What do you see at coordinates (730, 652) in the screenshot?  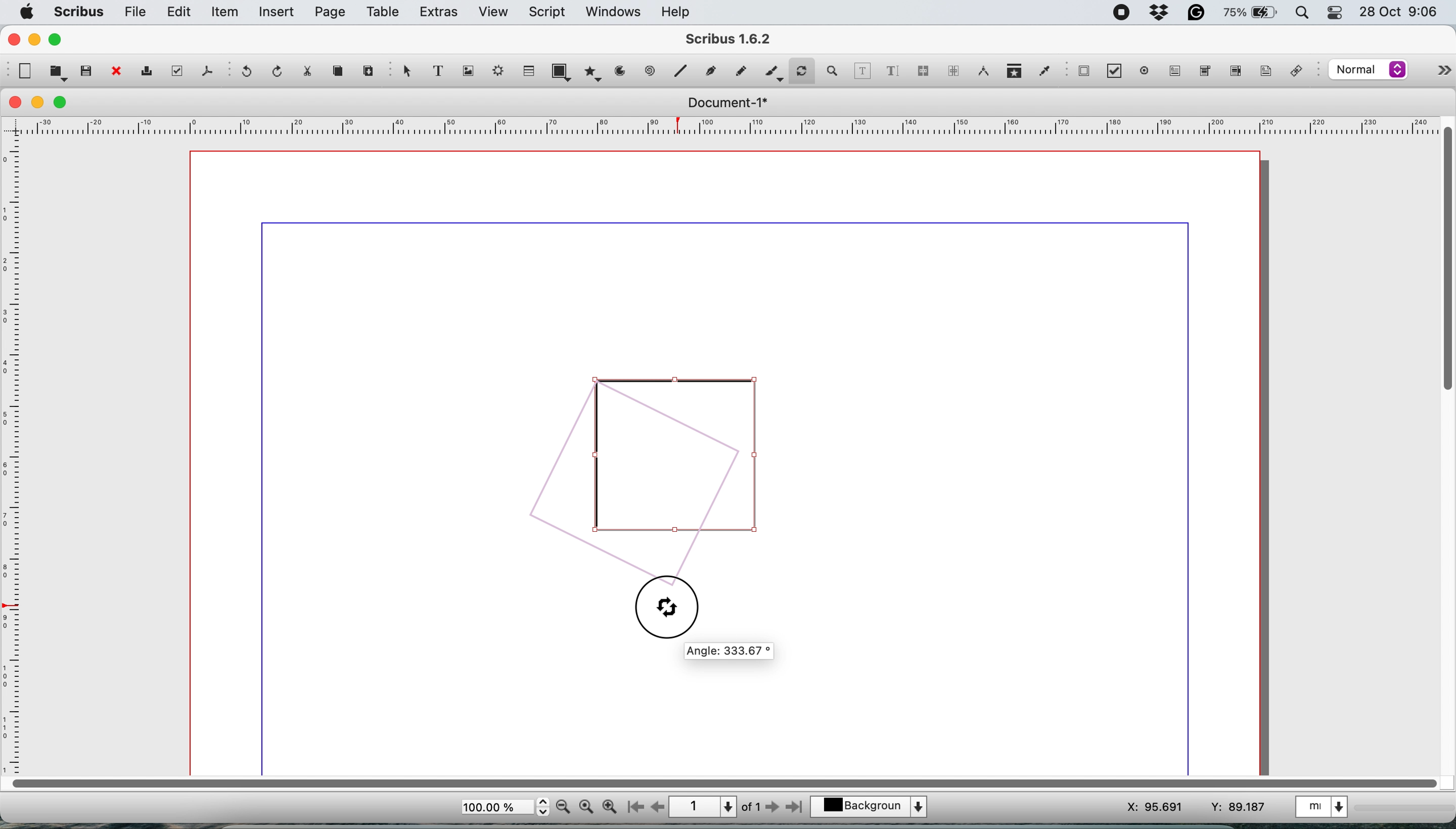 I see `Angle: 333.67 °` at bounding box center [730, 652].